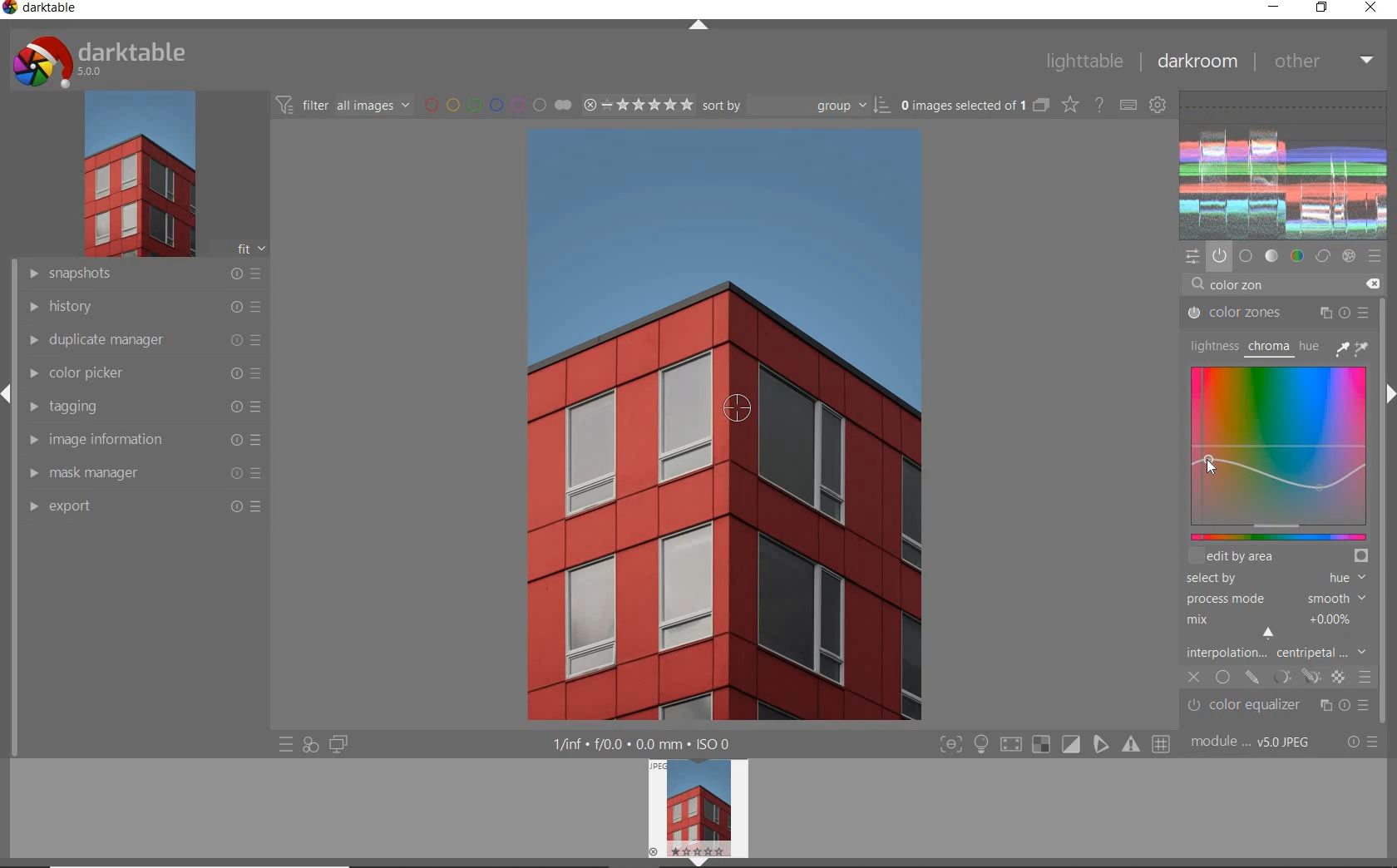 Image resolution: width=1397 pixels, height=868 pixels. I want to click on gamut check, so click(1039, 744).